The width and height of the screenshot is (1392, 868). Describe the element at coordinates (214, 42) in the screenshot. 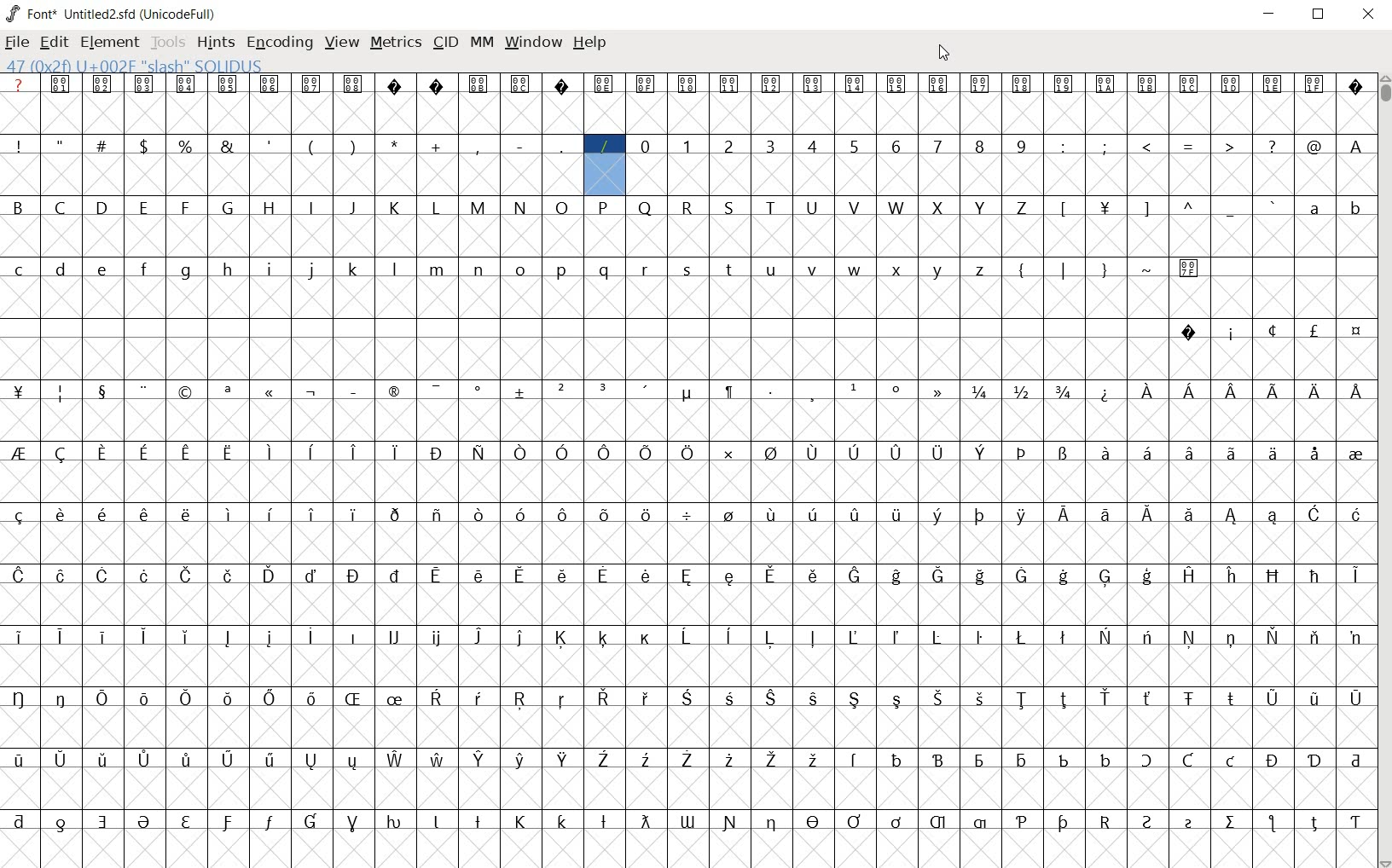

I see `HINTS` at that location.